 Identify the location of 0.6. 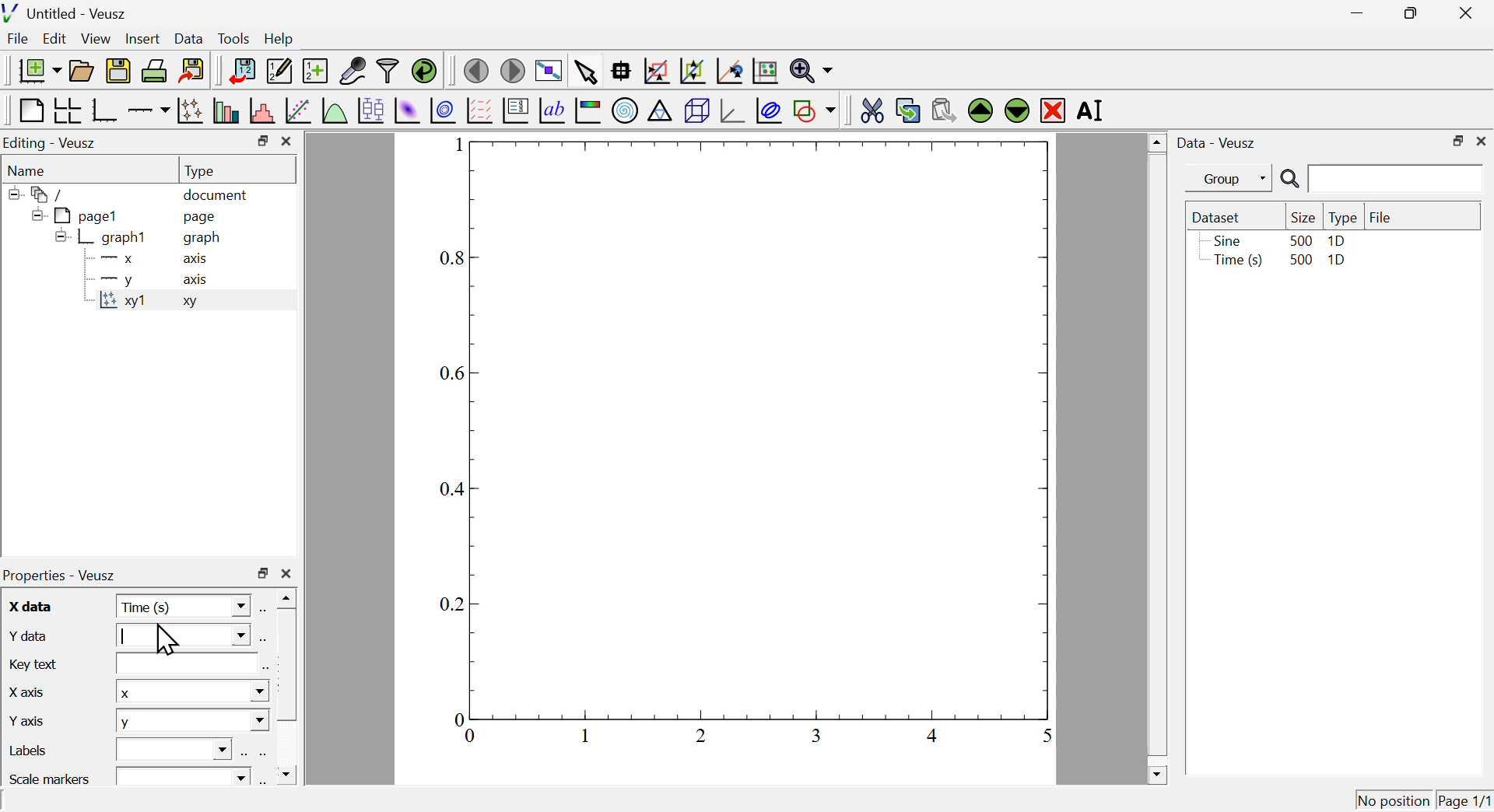
(455, 373).